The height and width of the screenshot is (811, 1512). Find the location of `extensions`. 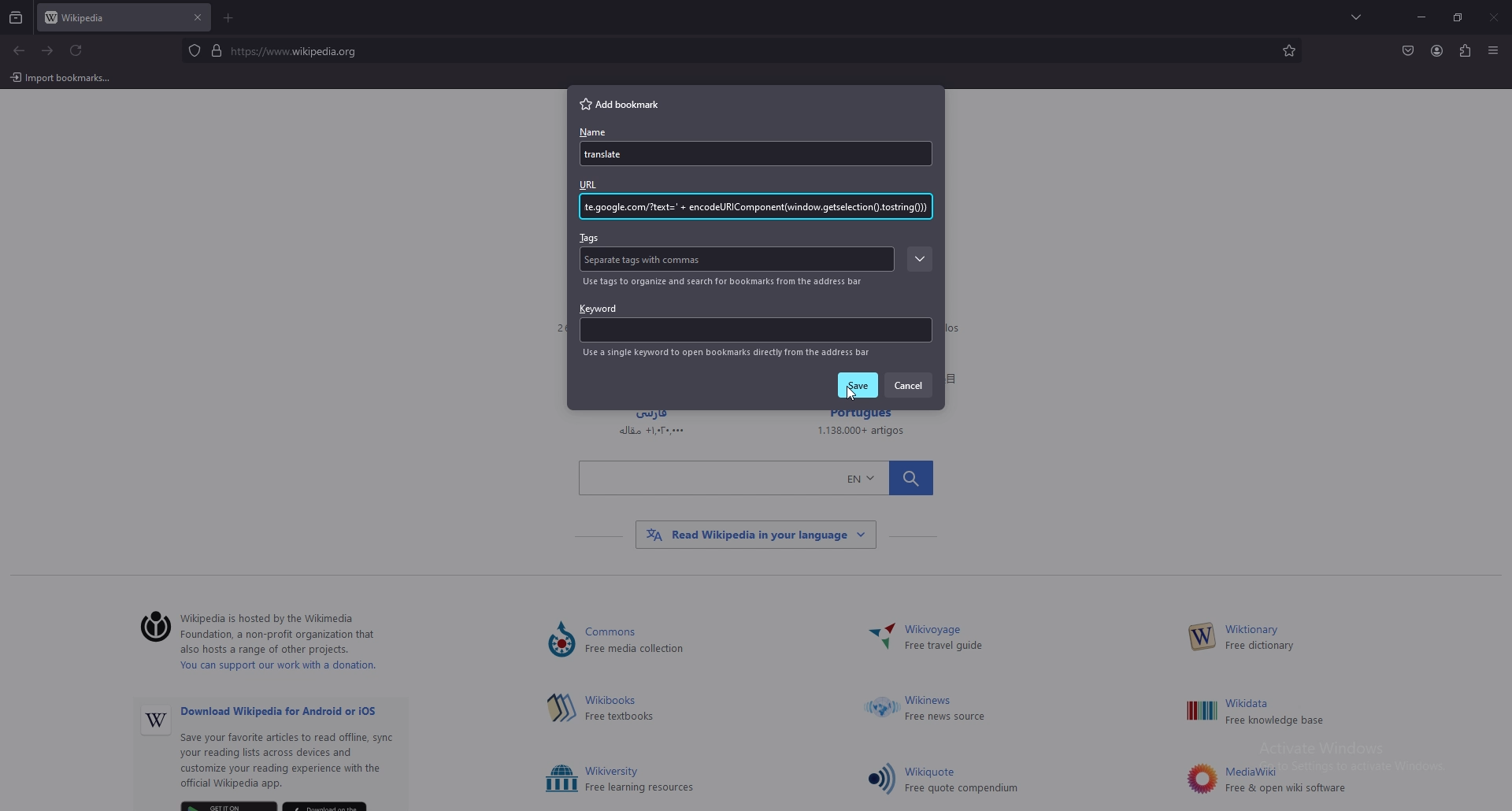

extensions is located at coordinates (1464, 52).